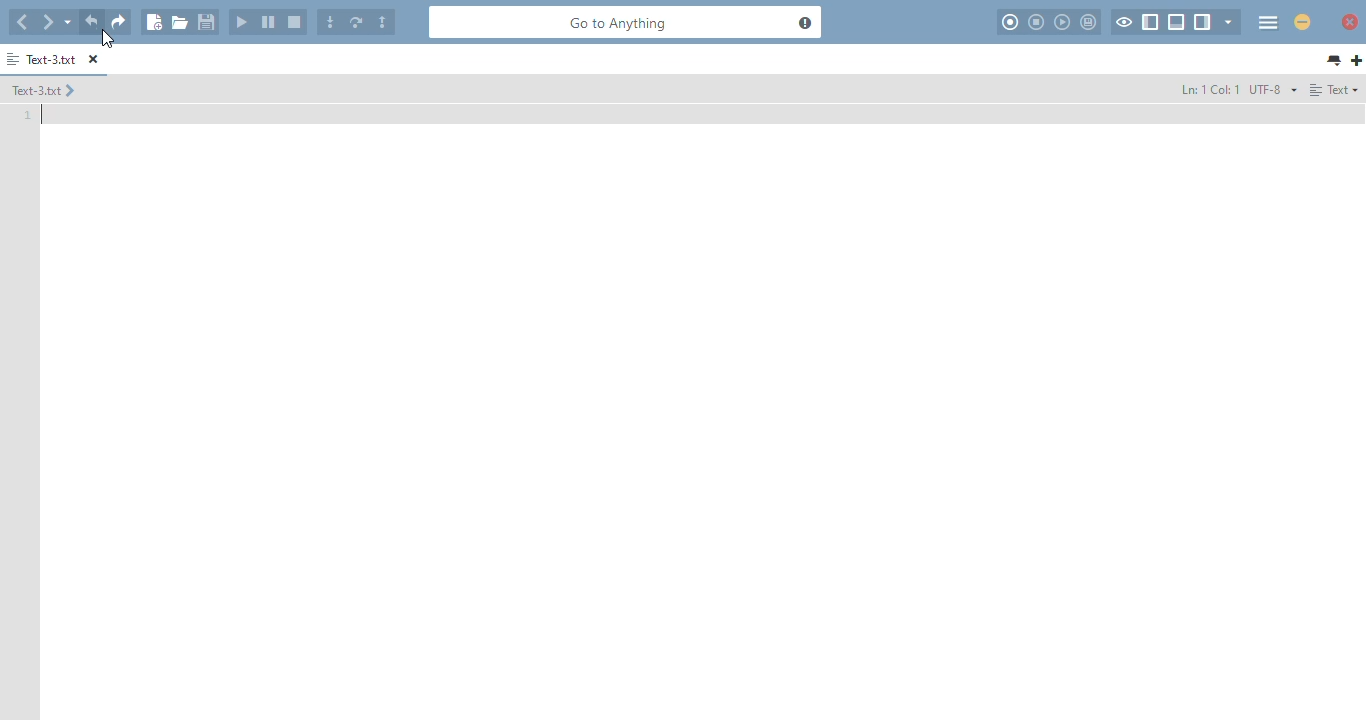  What do you see at coordinates (180, 23) in the screenshot?
I see `open file` at bounding box center [180, 23].